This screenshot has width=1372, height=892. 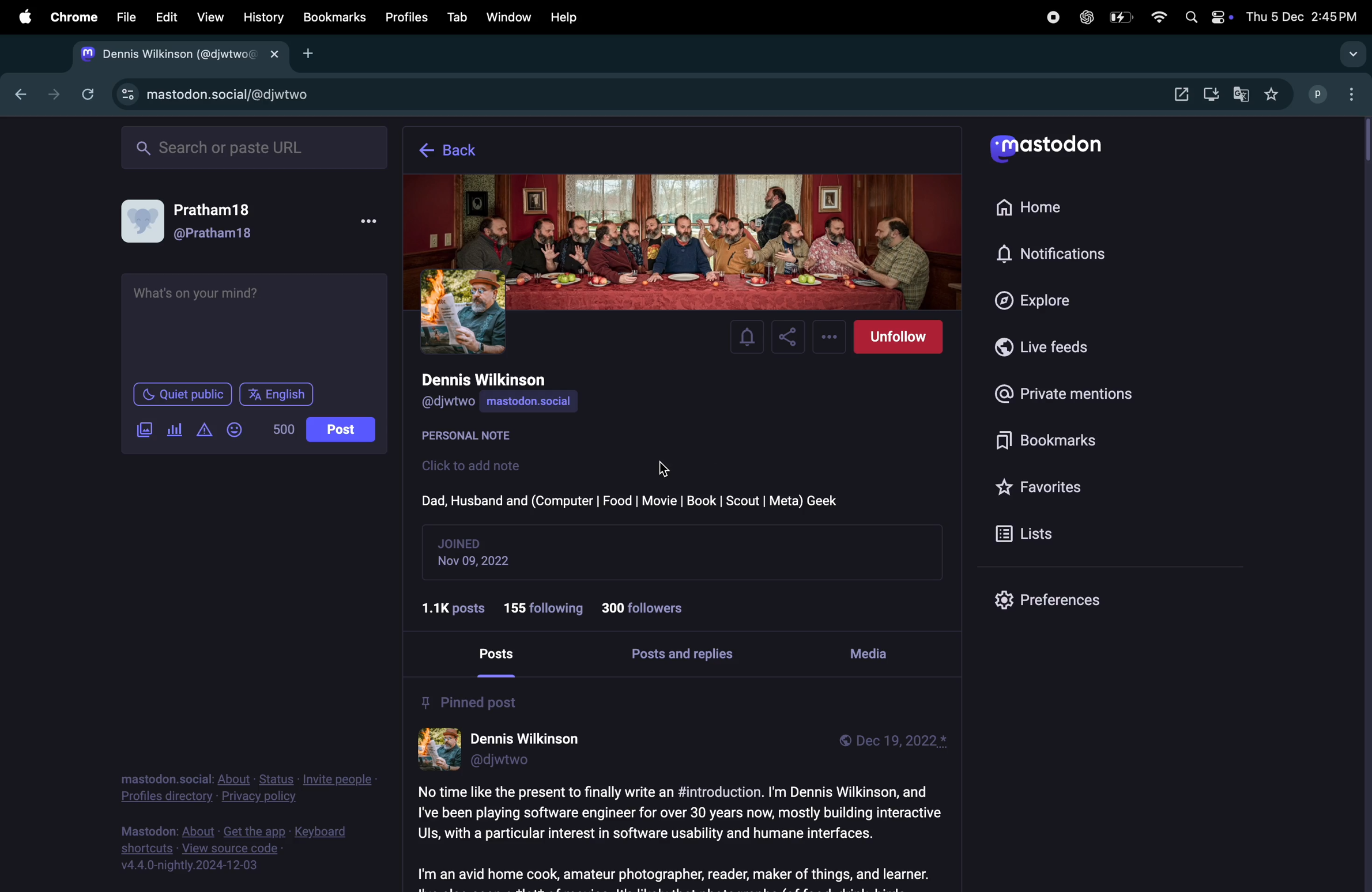 What do you see at coordinates (176, 55) in the screenshot?
I see `explore mastodon` at bounding box center [176, 55].